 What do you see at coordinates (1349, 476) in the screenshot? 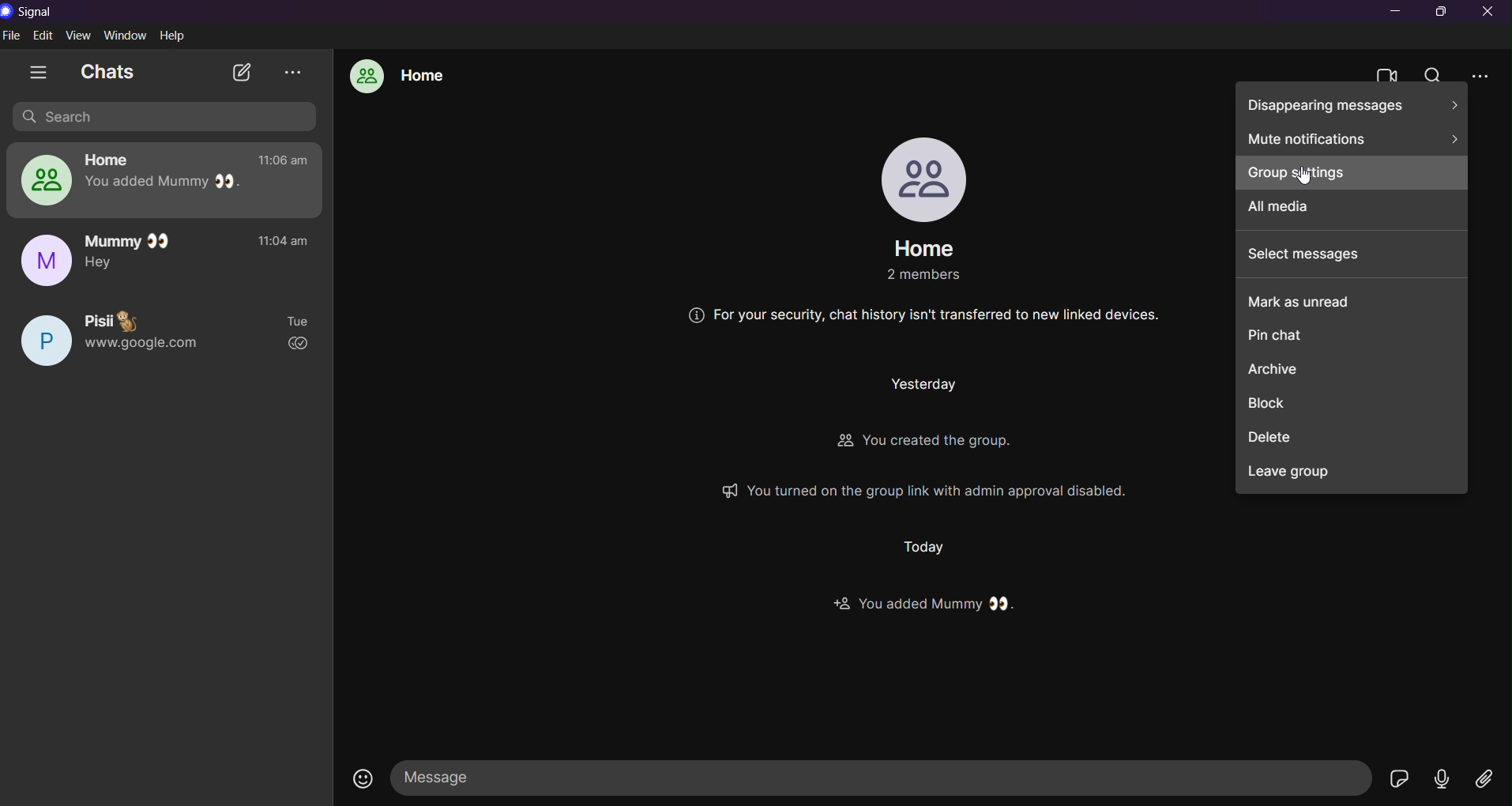
I see `leave group` at bounding box center [1349, 476].